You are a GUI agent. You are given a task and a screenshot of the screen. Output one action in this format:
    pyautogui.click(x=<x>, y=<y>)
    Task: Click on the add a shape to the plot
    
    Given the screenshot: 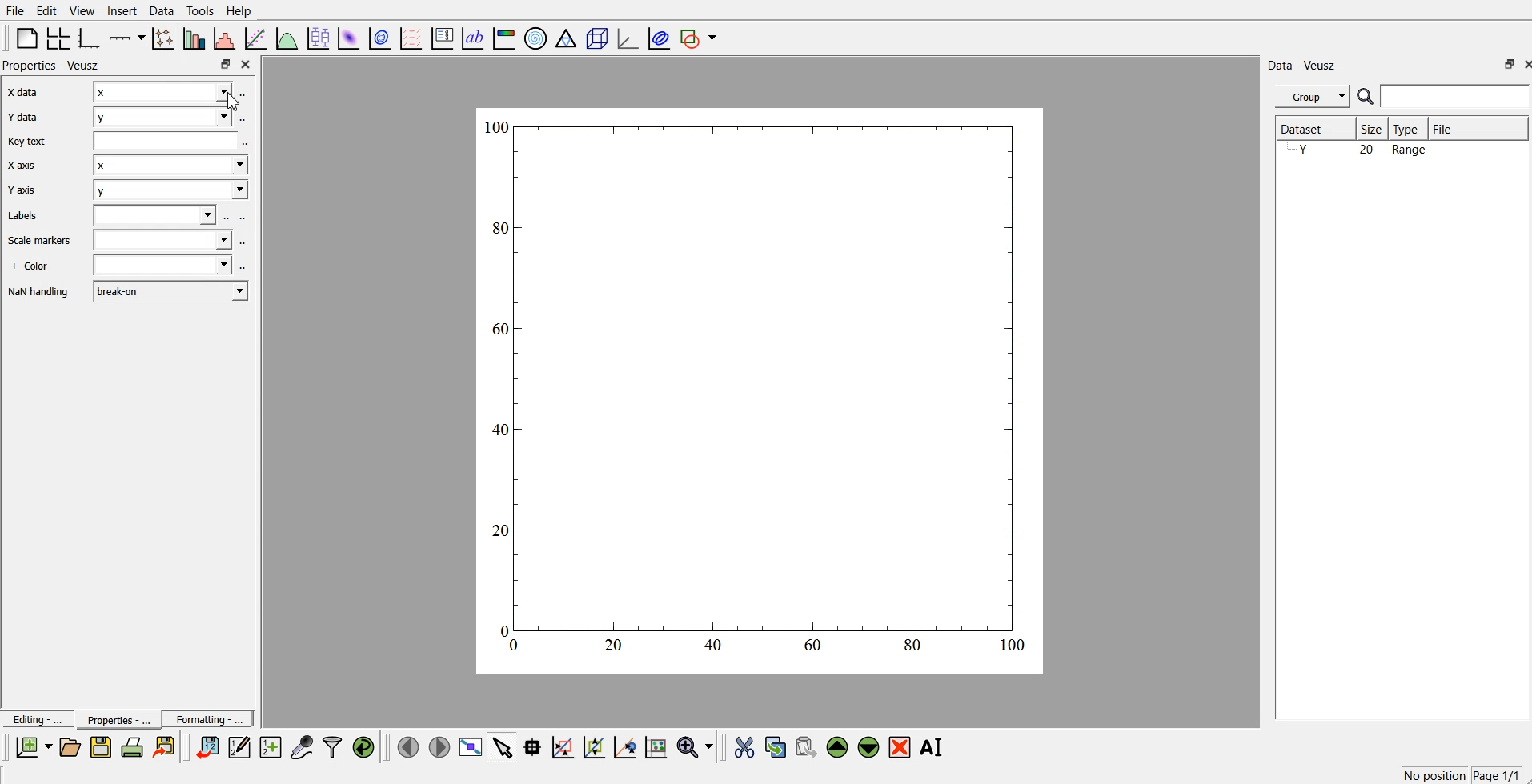 What is the action you would take?
    pyautogui.click(x=700, y=38)
    